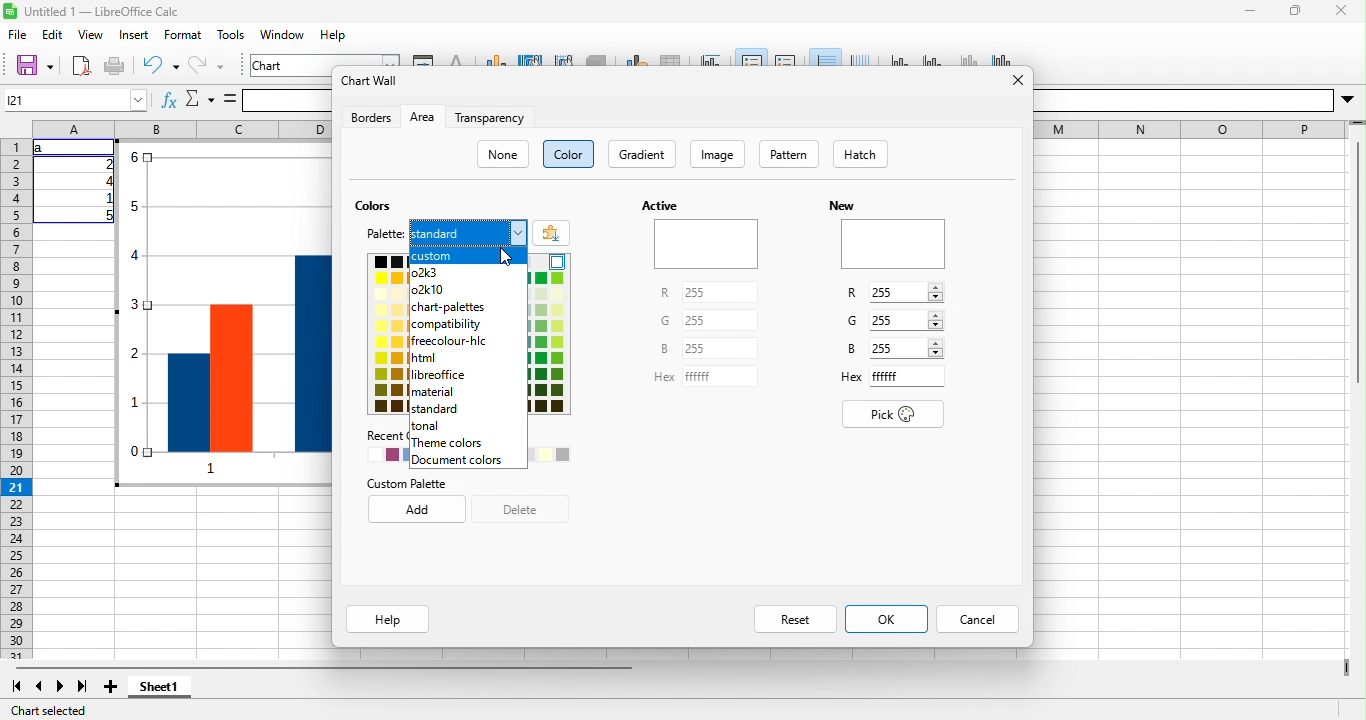  What do you see at coordinates (468, 273) in the screenshot?
I see `o2k3` at bounding box center [468, 273].